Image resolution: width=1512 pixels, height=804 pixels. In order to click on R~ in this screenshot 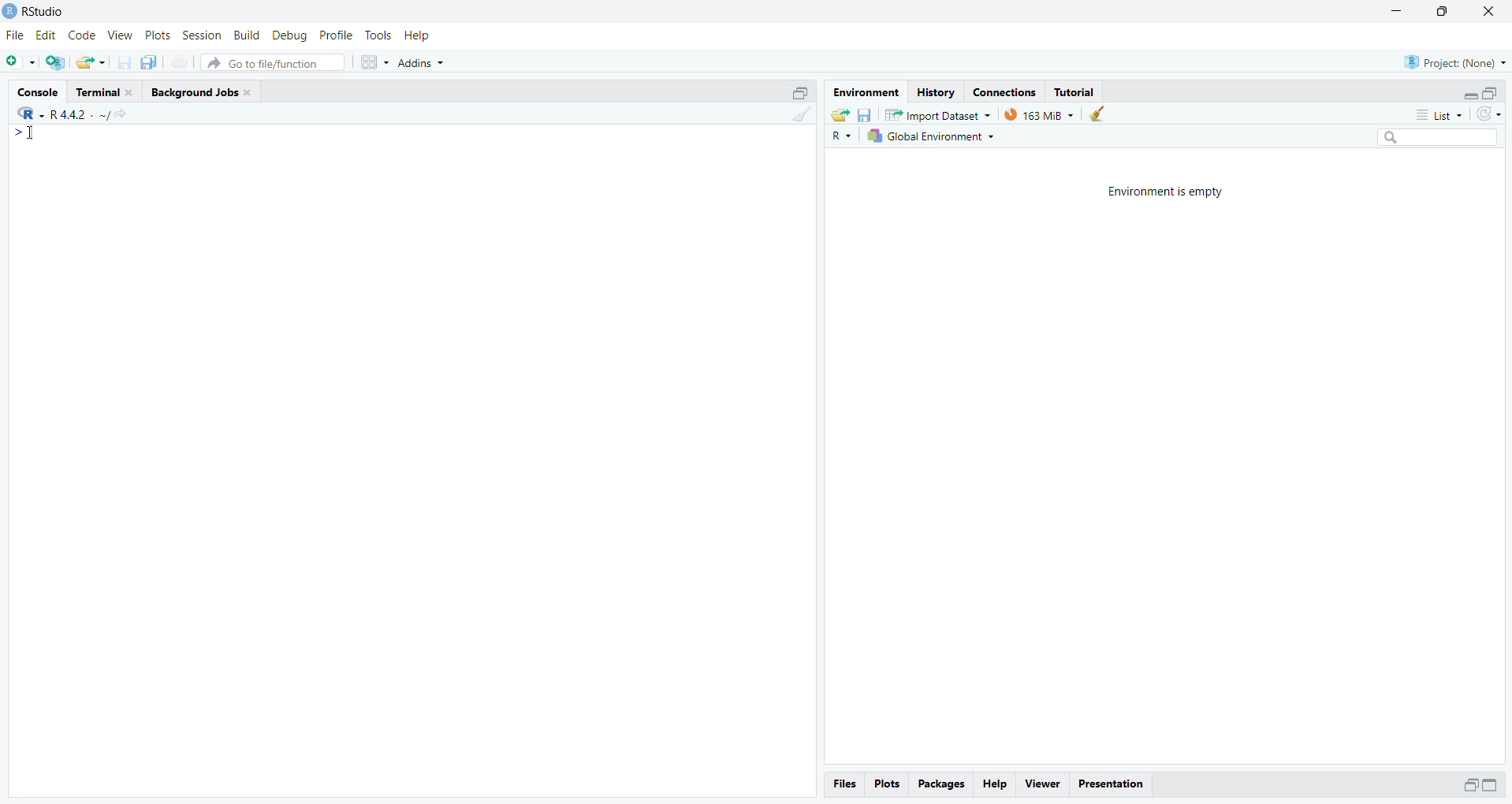, I will do `click(844, 136)`.